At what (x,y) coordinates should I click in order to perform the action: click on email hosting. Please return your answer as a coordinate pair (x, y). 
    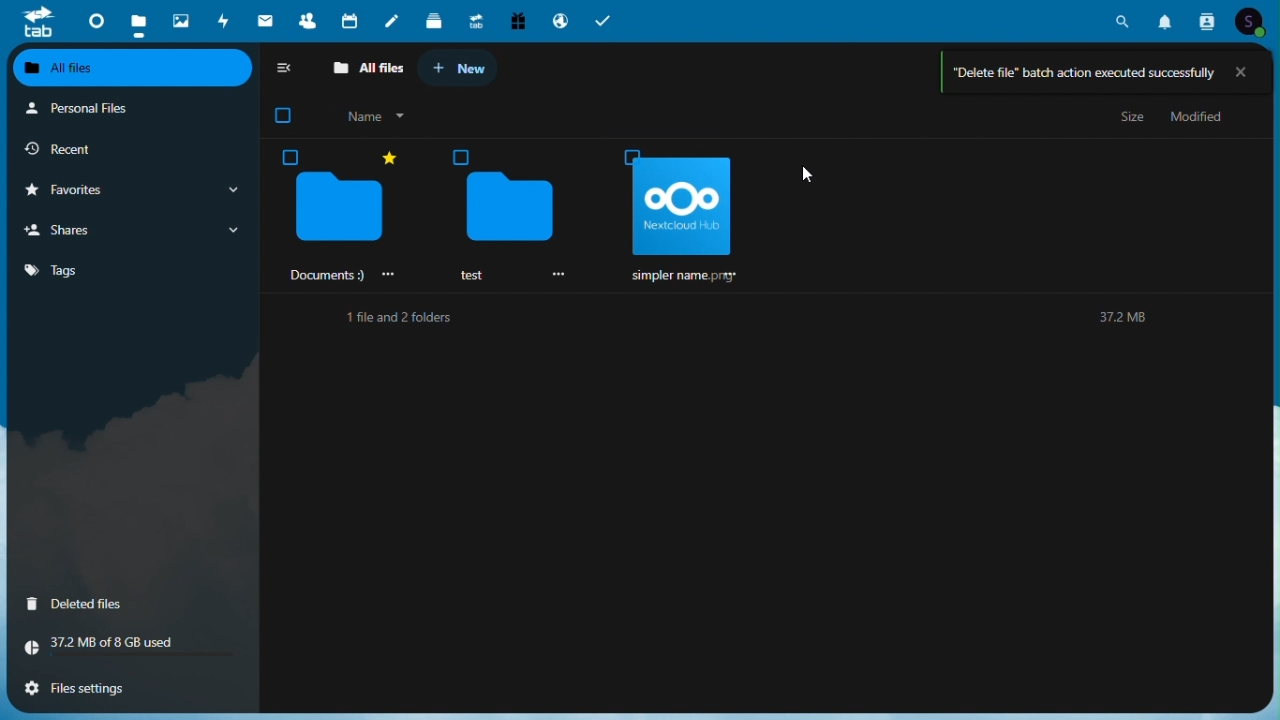
    Looking at the image, I should click on (560, 17).